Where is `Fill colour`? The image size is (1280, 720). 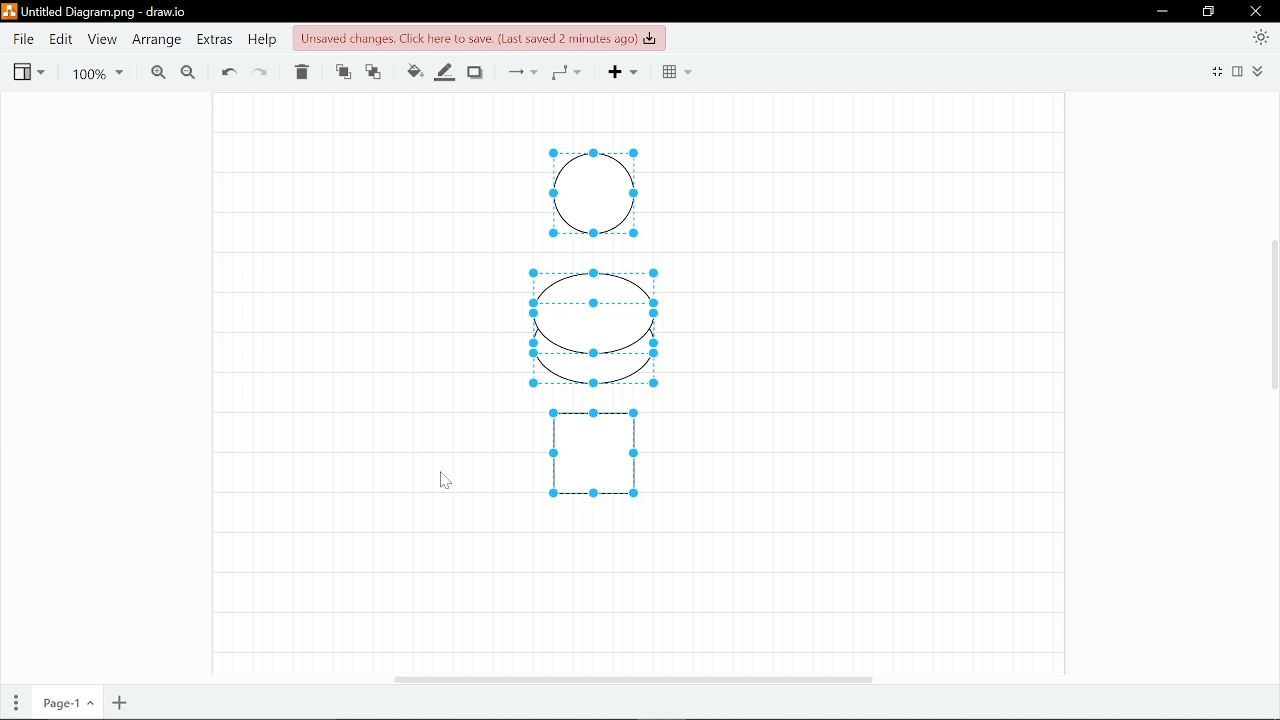 Fill colour is located at coordinates (414, 72).